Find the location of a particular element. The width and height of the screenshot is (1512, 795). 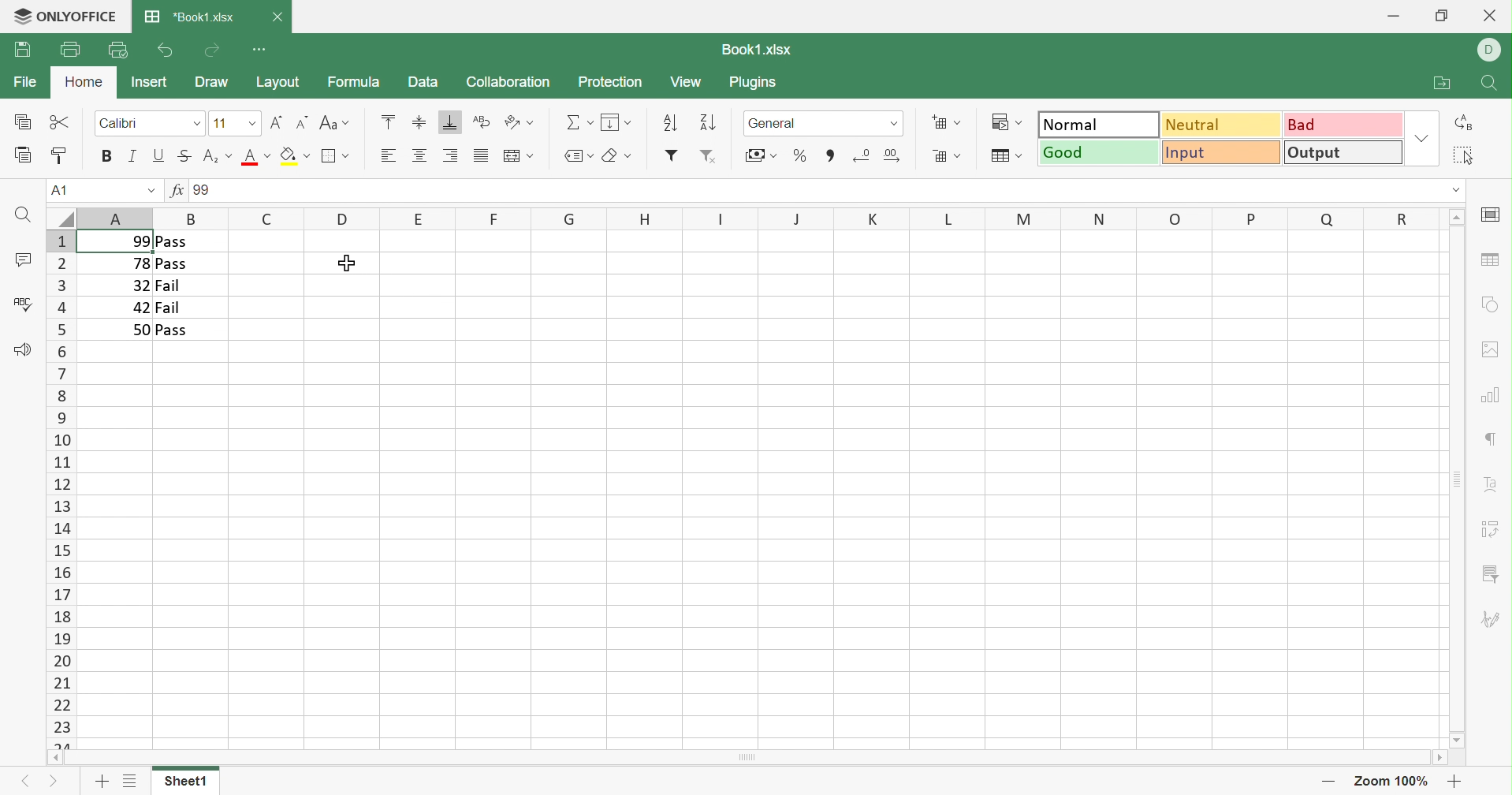

Percent style is located at coordinates (799, 155).